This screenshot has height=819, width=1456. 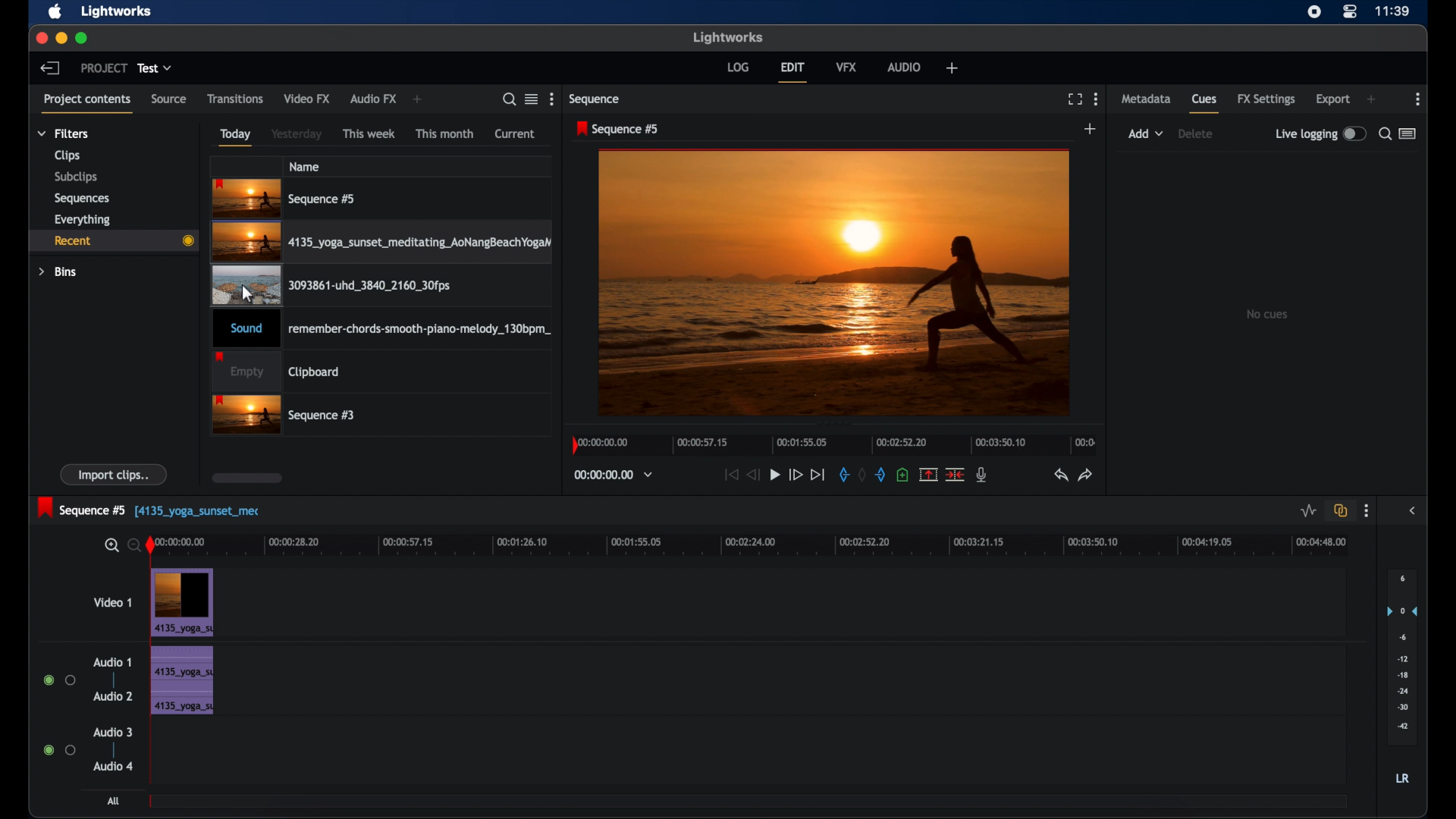 What do you see at coordinates (296, 133) in the screenshot?
I see `yesterday` at bounding box center [296, 133].